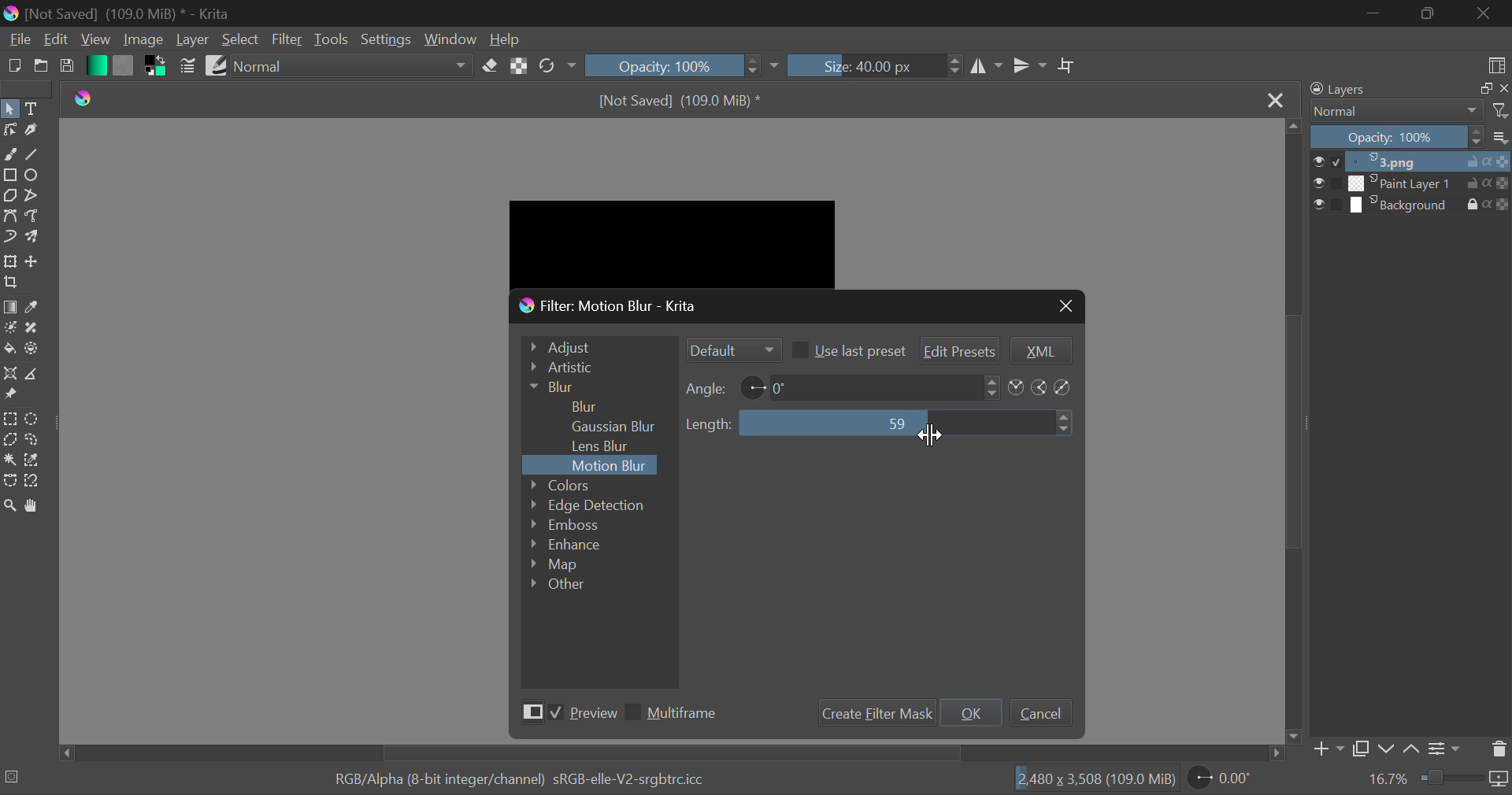 This screenshot has height=795, width=1512. What do you see at coordinates (895, 422) in the screenshot?
I see `59` at bounding box center [895, 422].